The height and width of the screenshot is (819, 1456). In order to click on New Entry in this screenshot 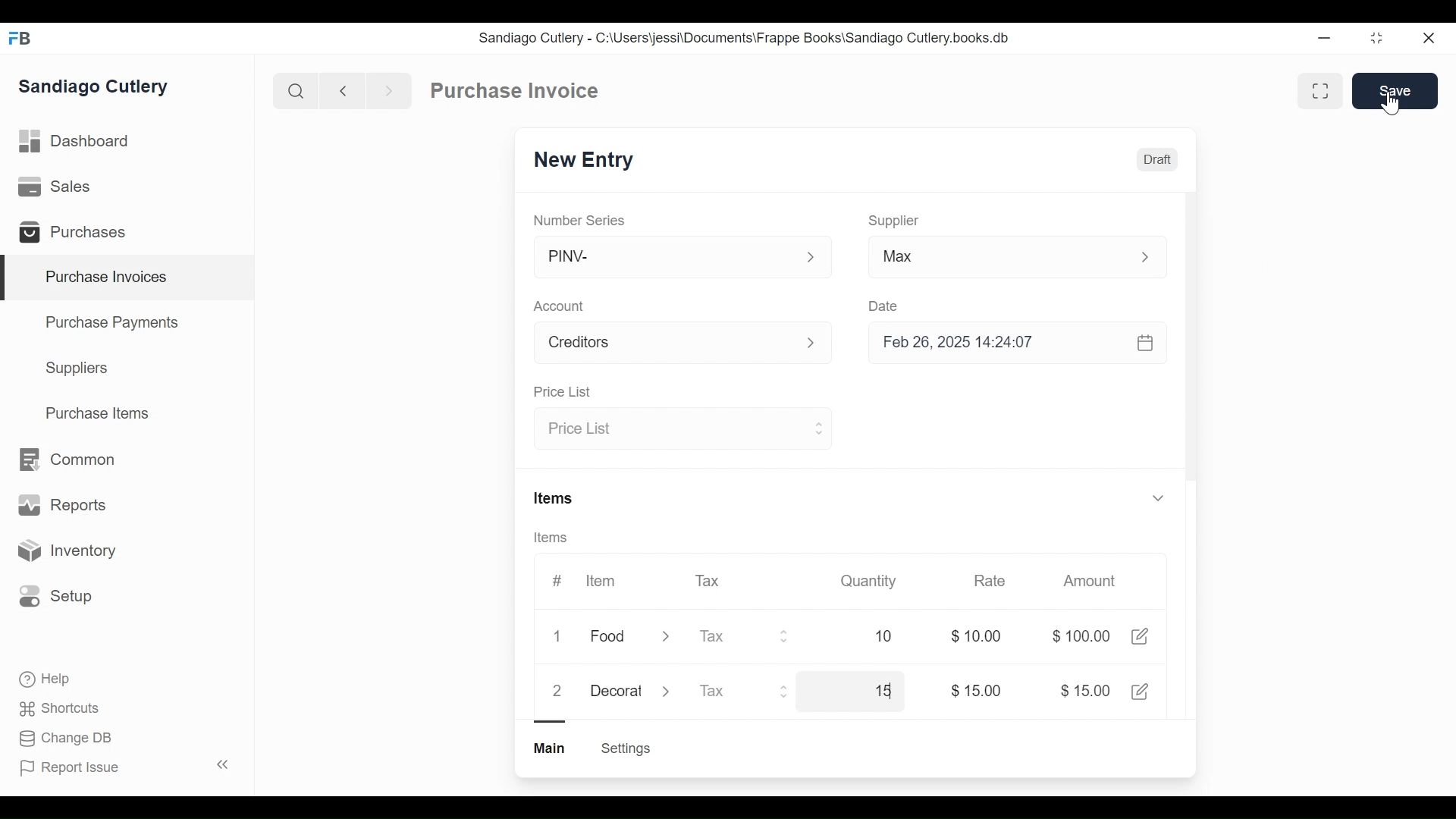, I will do `click(588, 161)`.